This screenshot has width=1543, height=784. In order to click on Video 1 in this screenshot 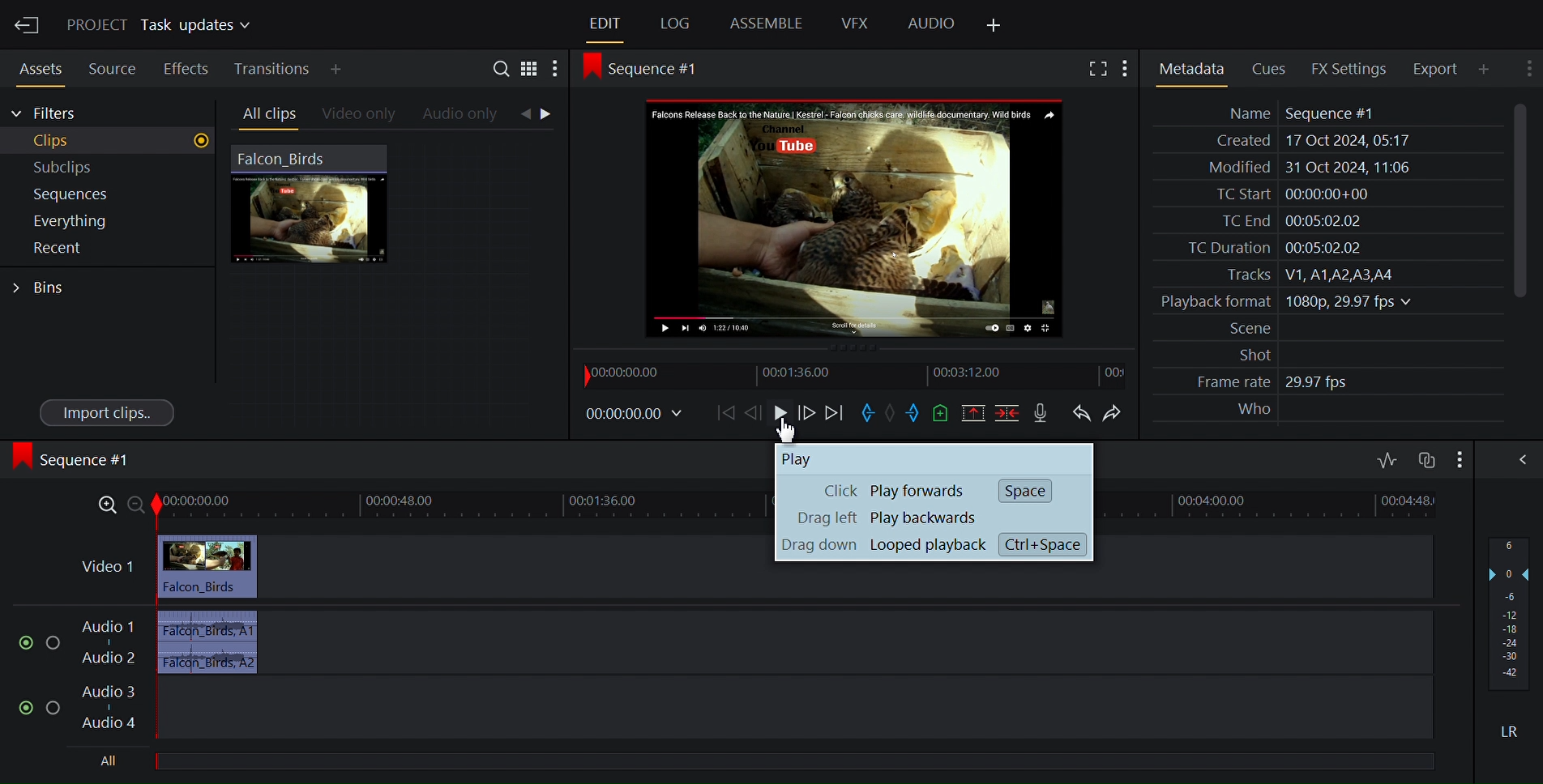, I will do `click(414, 564)`.